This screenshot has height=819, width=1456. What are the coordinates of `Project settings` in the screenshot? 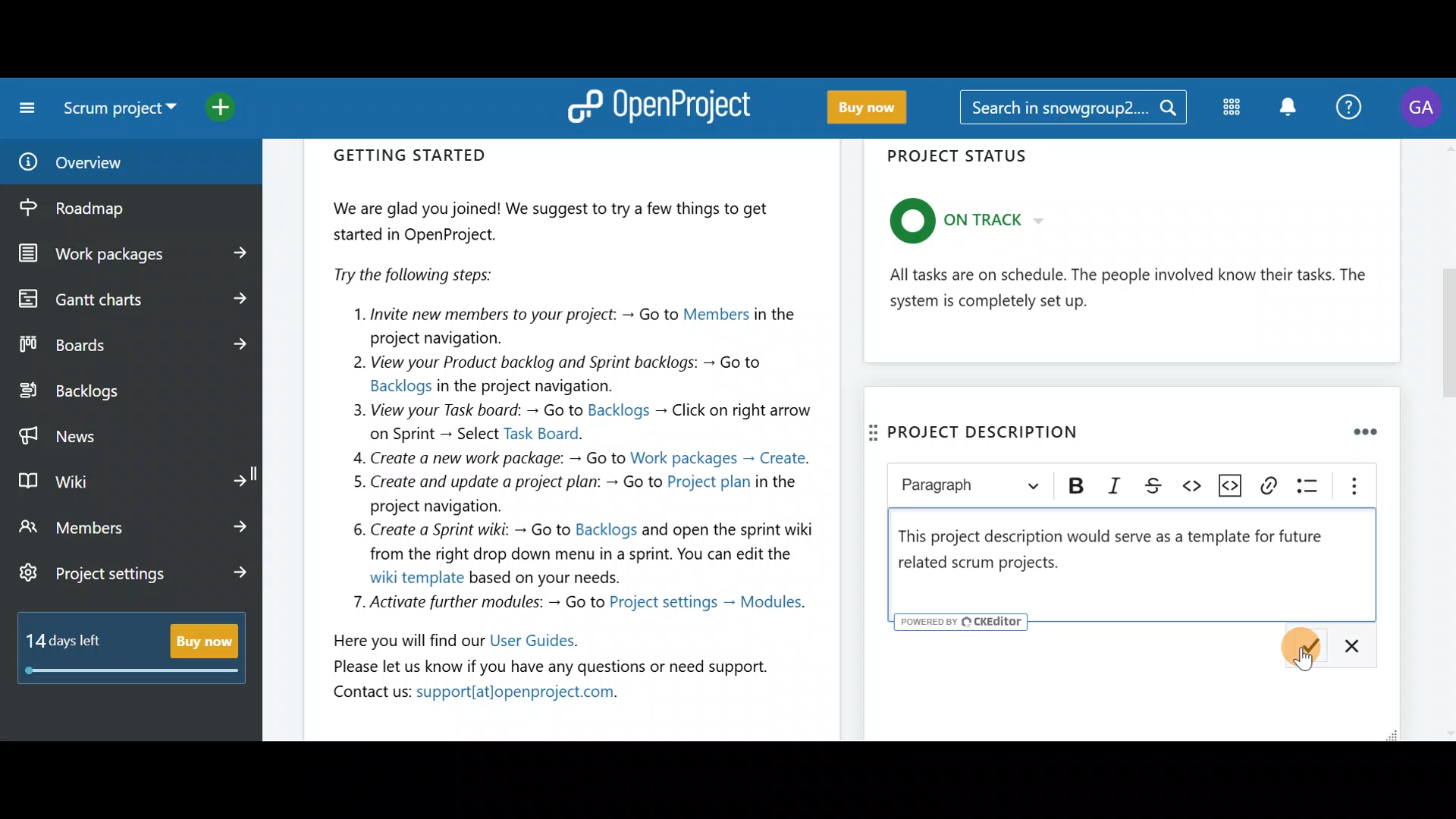 It's located at (135, 576).